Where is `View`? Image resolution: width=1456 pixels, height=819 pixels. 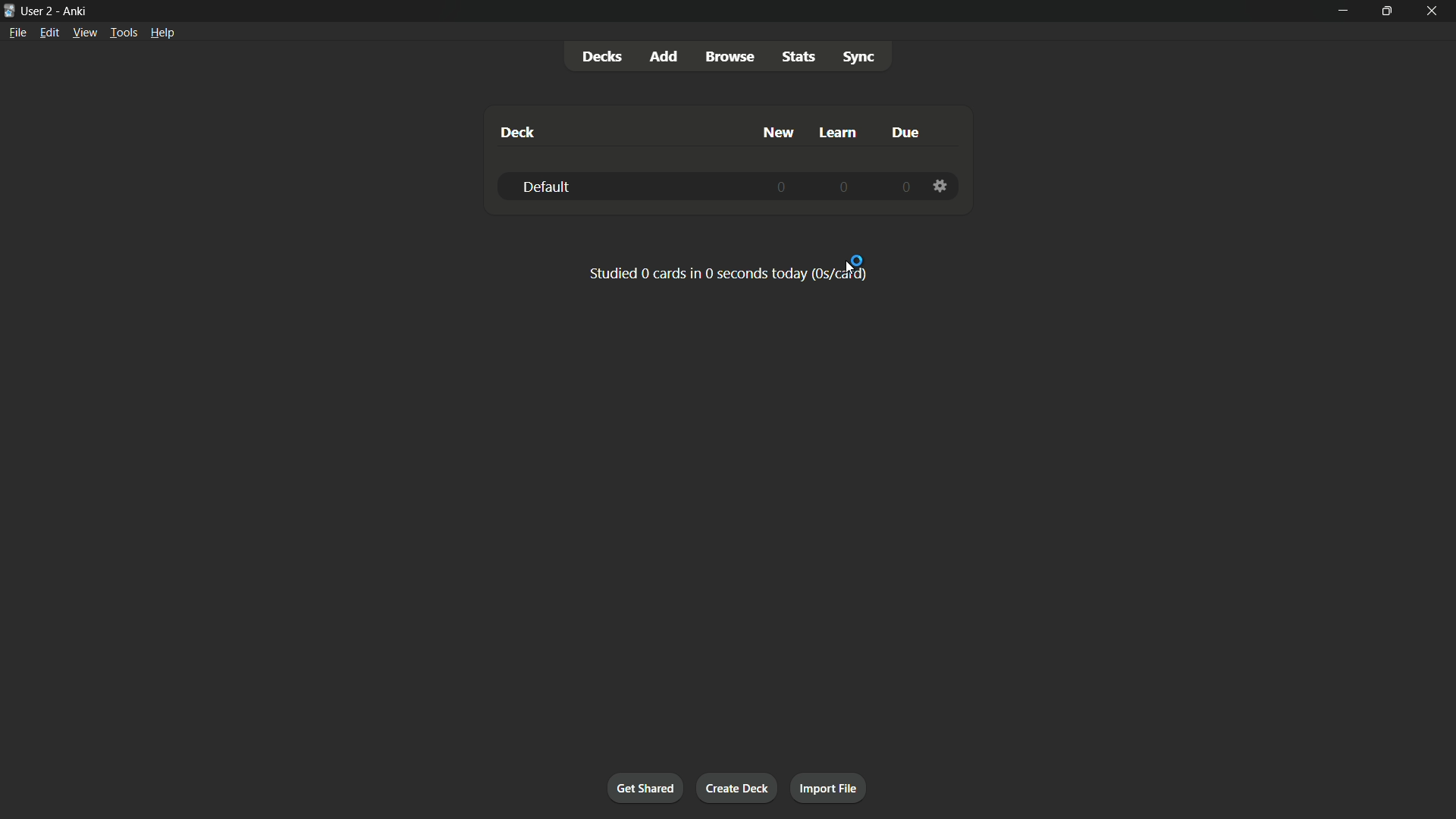
View is located at coordinates (83, 32).